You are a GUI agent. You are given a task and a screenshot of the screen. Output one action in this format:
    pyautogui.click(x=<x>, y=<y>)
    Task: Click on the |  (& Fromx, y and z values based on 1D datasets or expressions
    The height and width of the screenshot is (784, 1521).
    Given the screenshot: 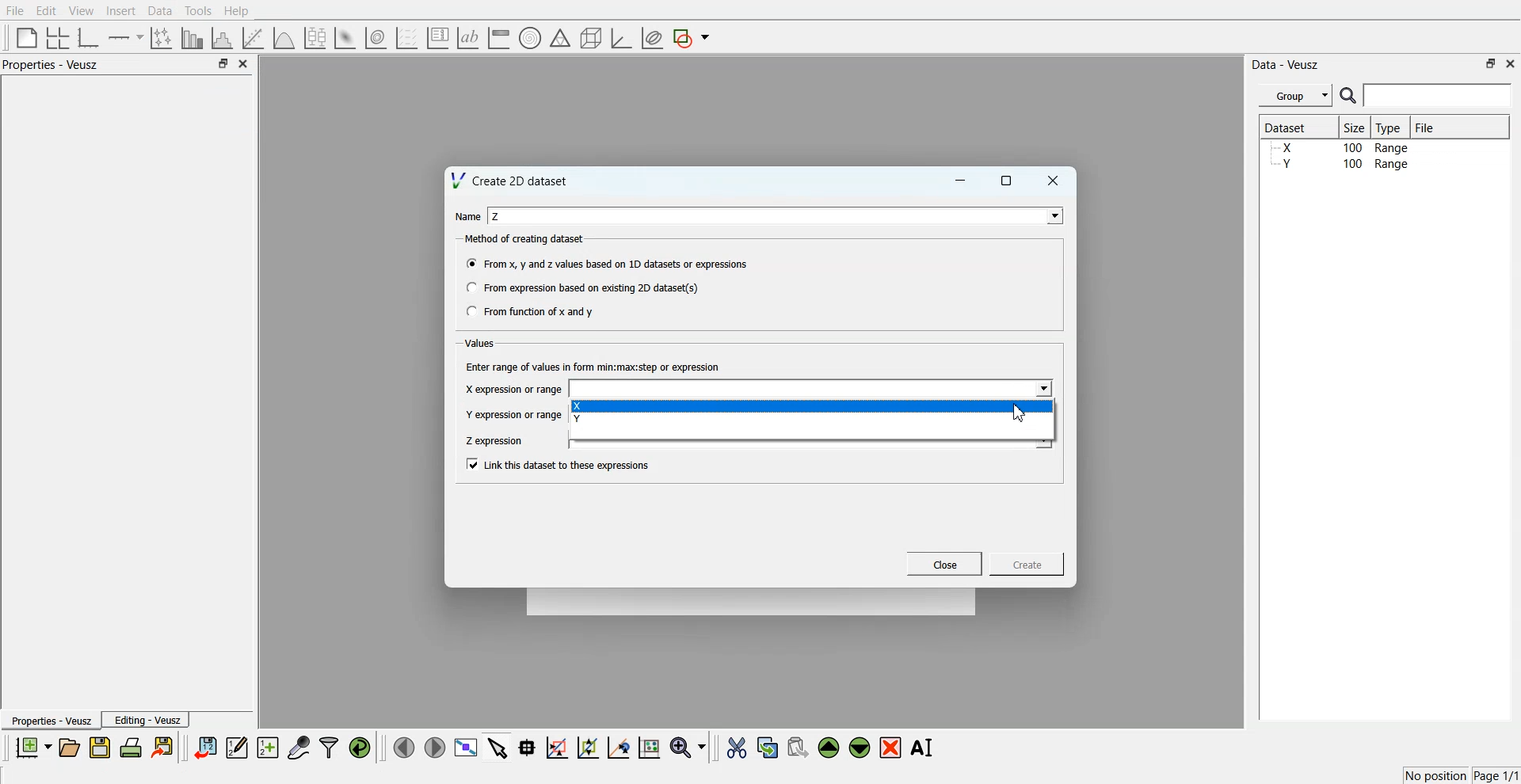 What is the action you would take?
    pyautogui.click(x=608, y=262)
    